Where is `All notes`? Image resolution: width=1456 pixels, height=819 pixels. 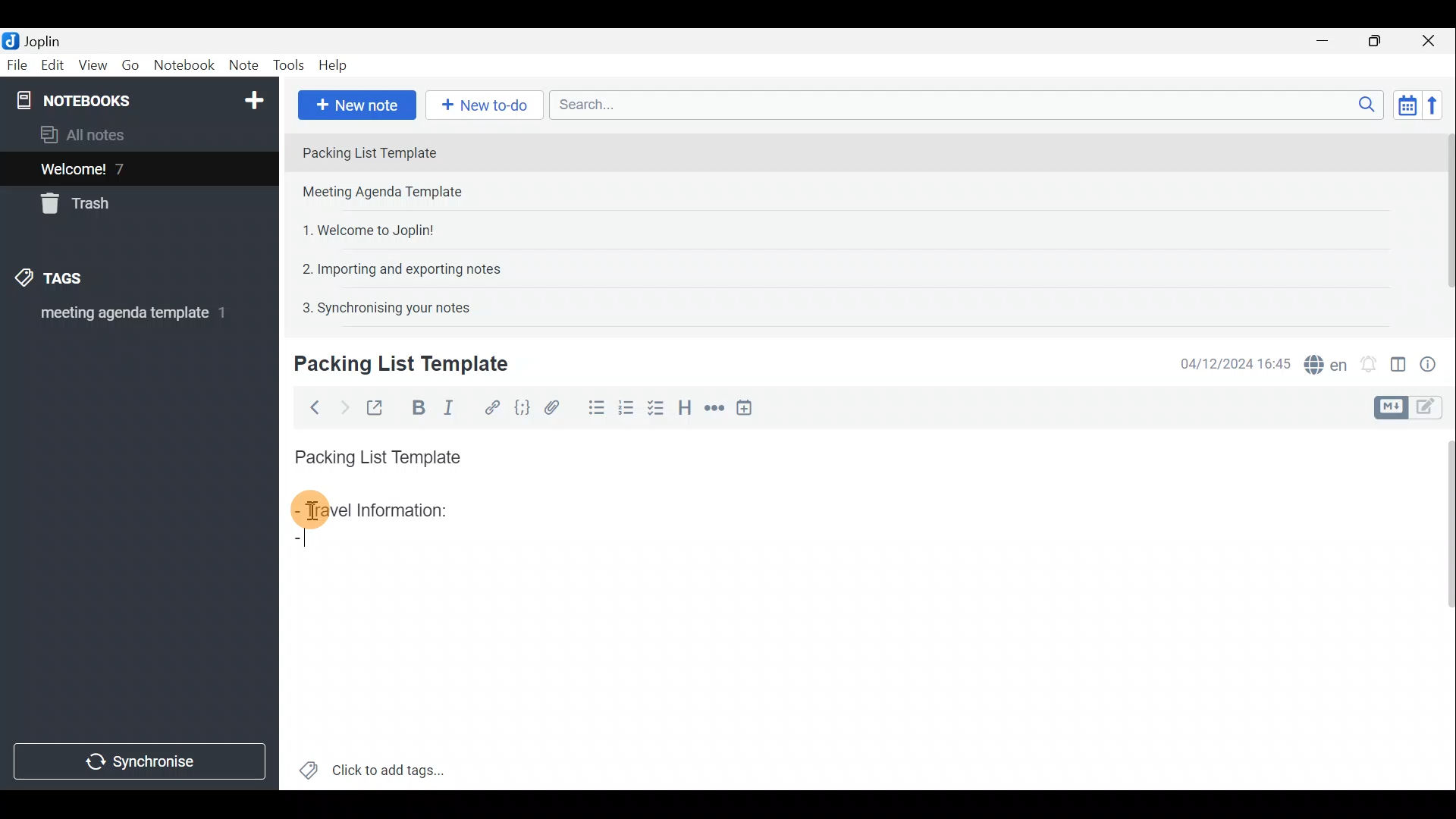 All notes is located at coordinates (88, 134).